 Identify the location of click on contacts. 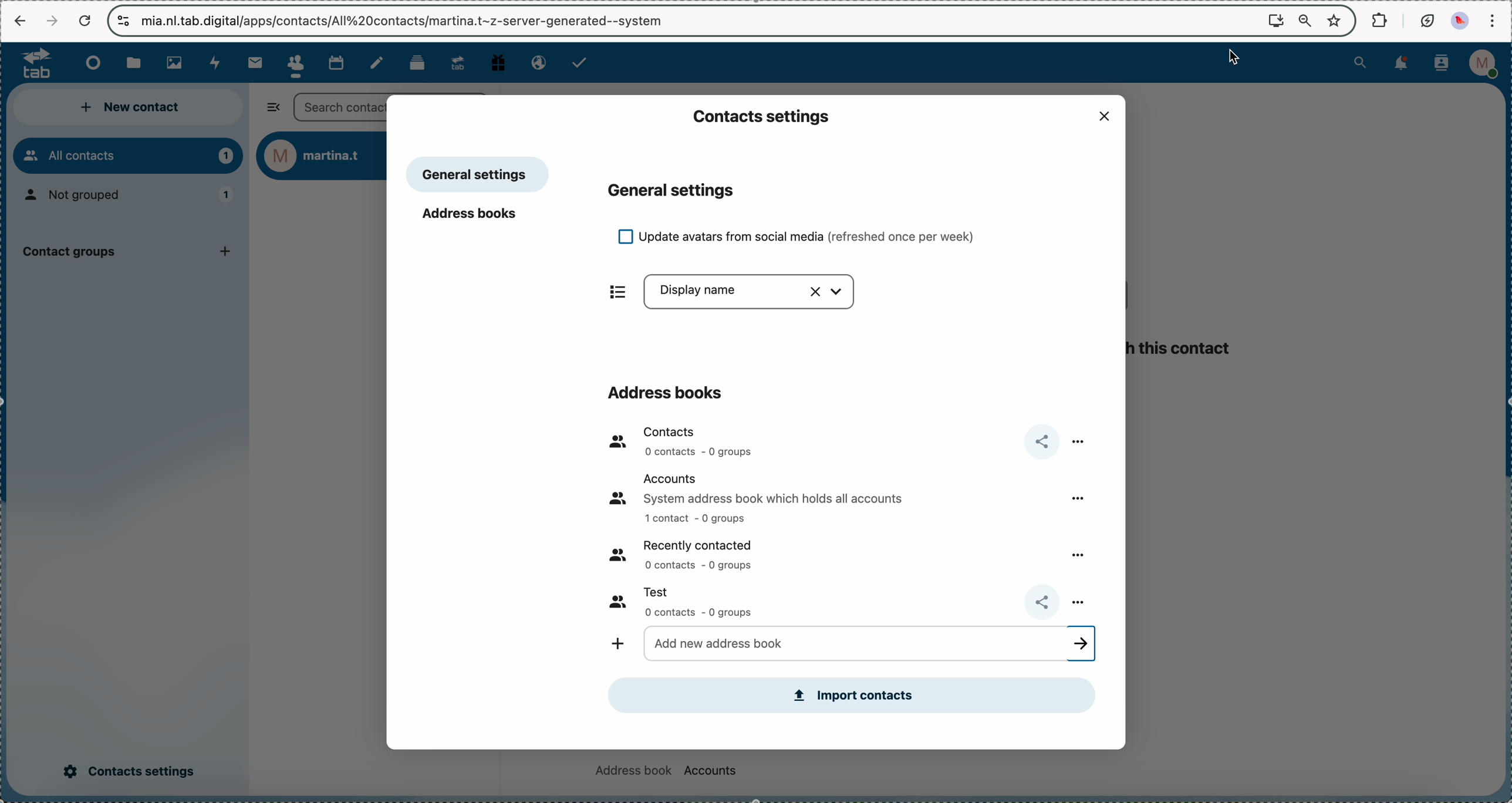
(294, 63).